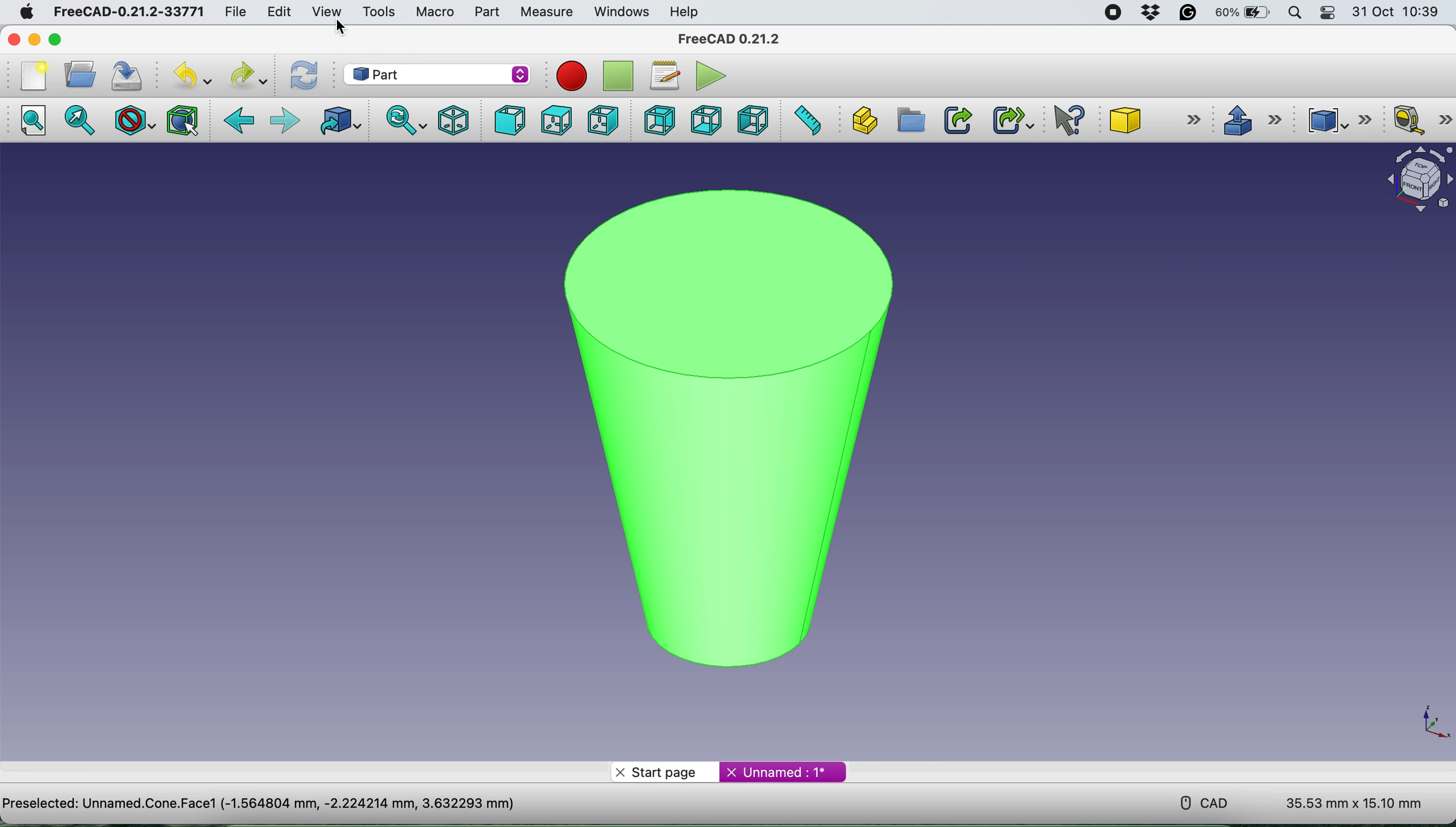 The image size is (1456, 827). Describe the element at coordinates (247, 75) in the screenshot. I see `redo` at that location.